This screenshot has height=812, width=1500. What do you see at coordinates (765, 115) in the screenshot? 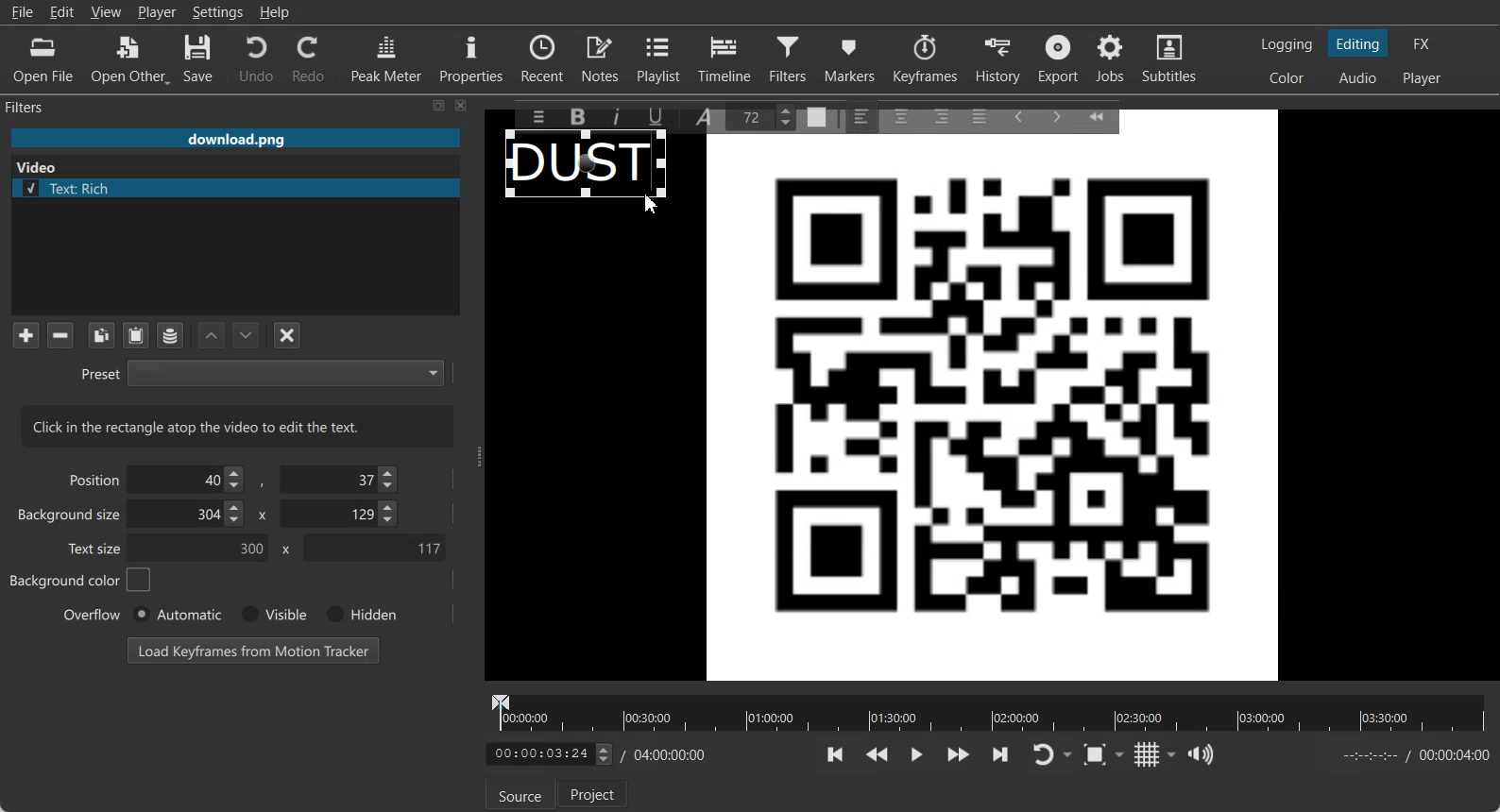
I see `Text Size` at bounding box center [765, 115].